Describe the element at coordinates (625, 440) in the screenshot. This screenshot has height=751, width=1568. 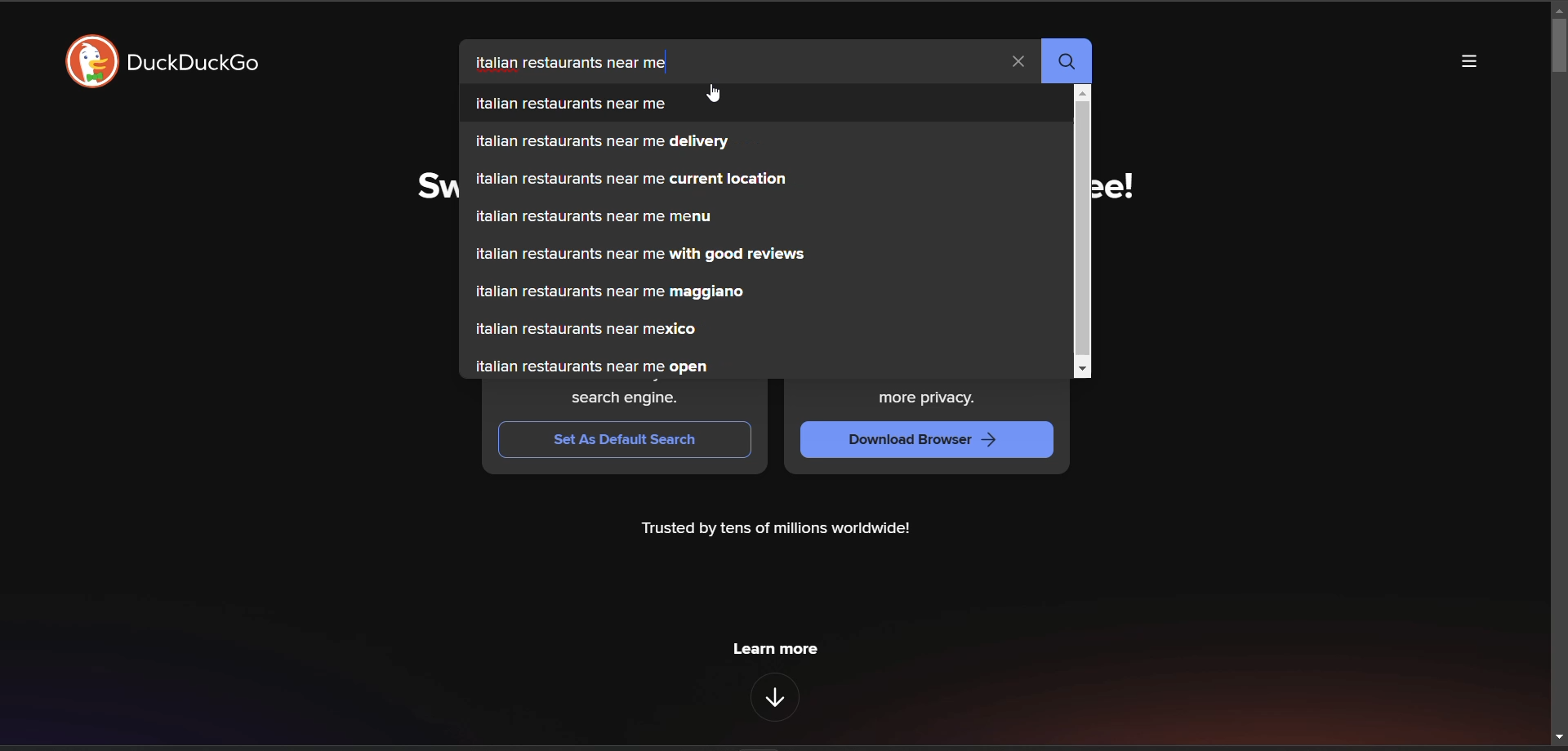
I see `Set As Default Search` at that location.